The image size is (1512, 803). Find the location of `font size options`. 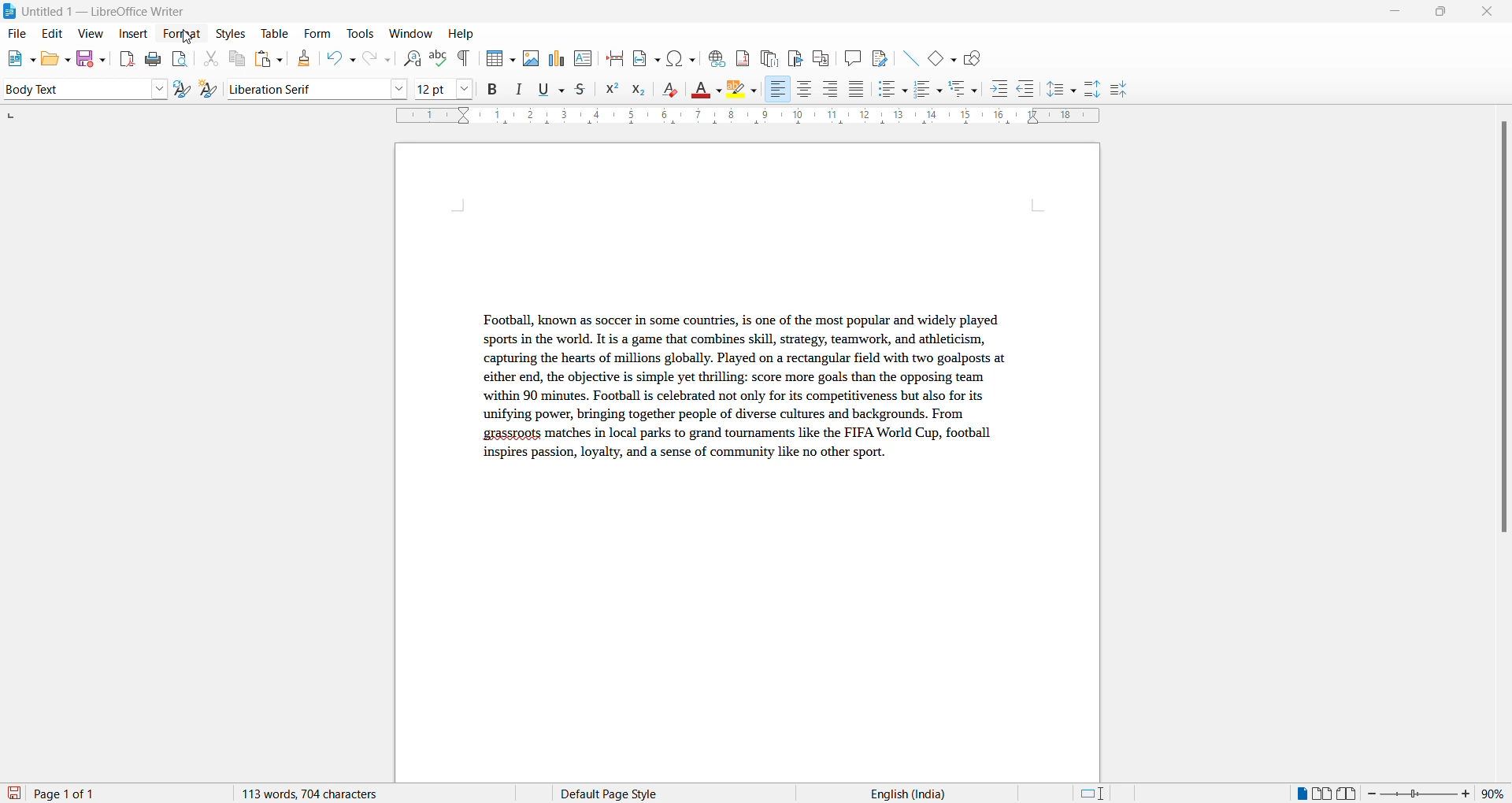

font size options is located at coordinates (465, 88).